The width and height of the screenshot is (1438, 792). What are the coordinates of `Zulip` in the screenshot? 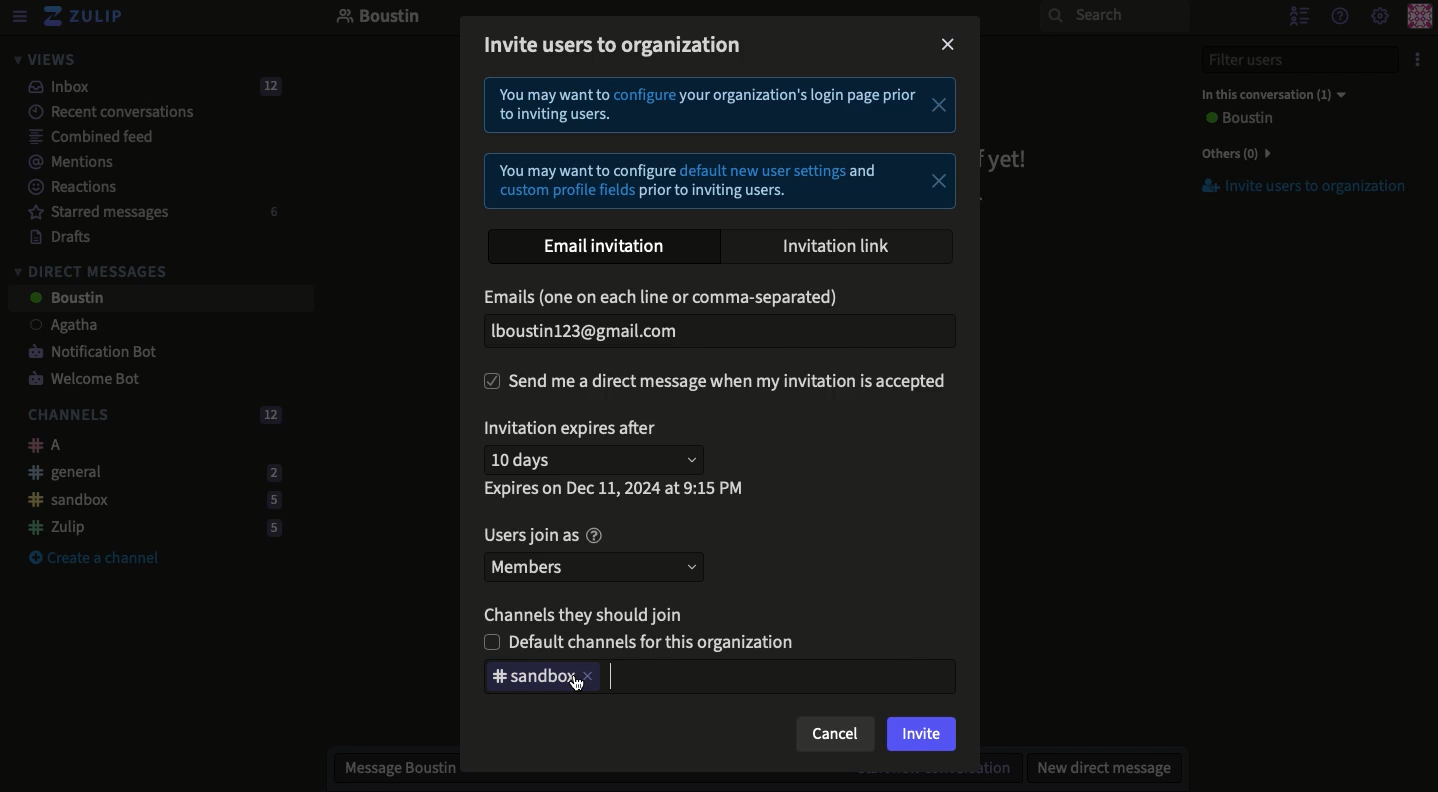 It's located at (148, 527).